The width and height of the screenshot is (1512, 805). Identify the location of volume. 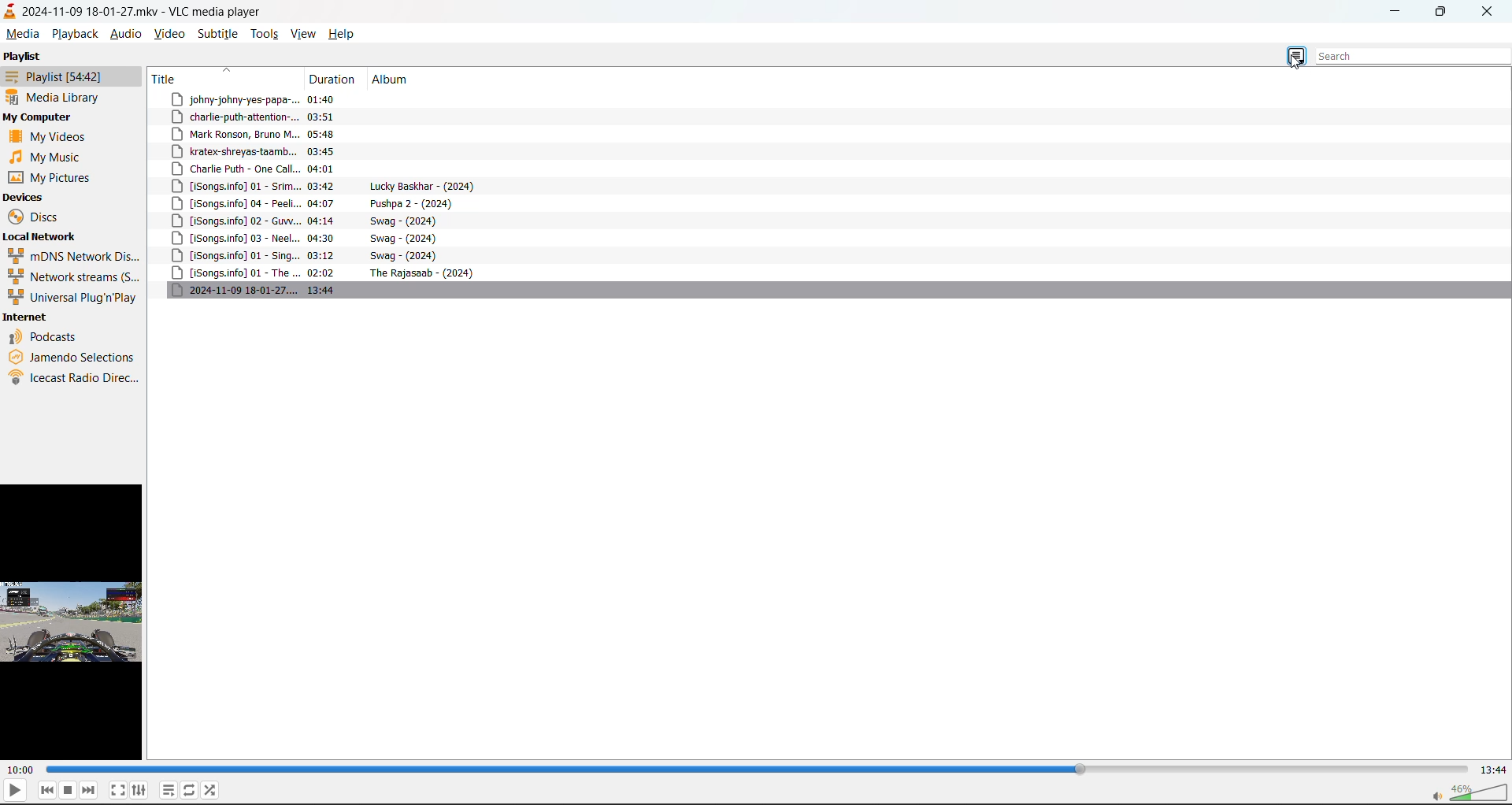
(1473, 792).